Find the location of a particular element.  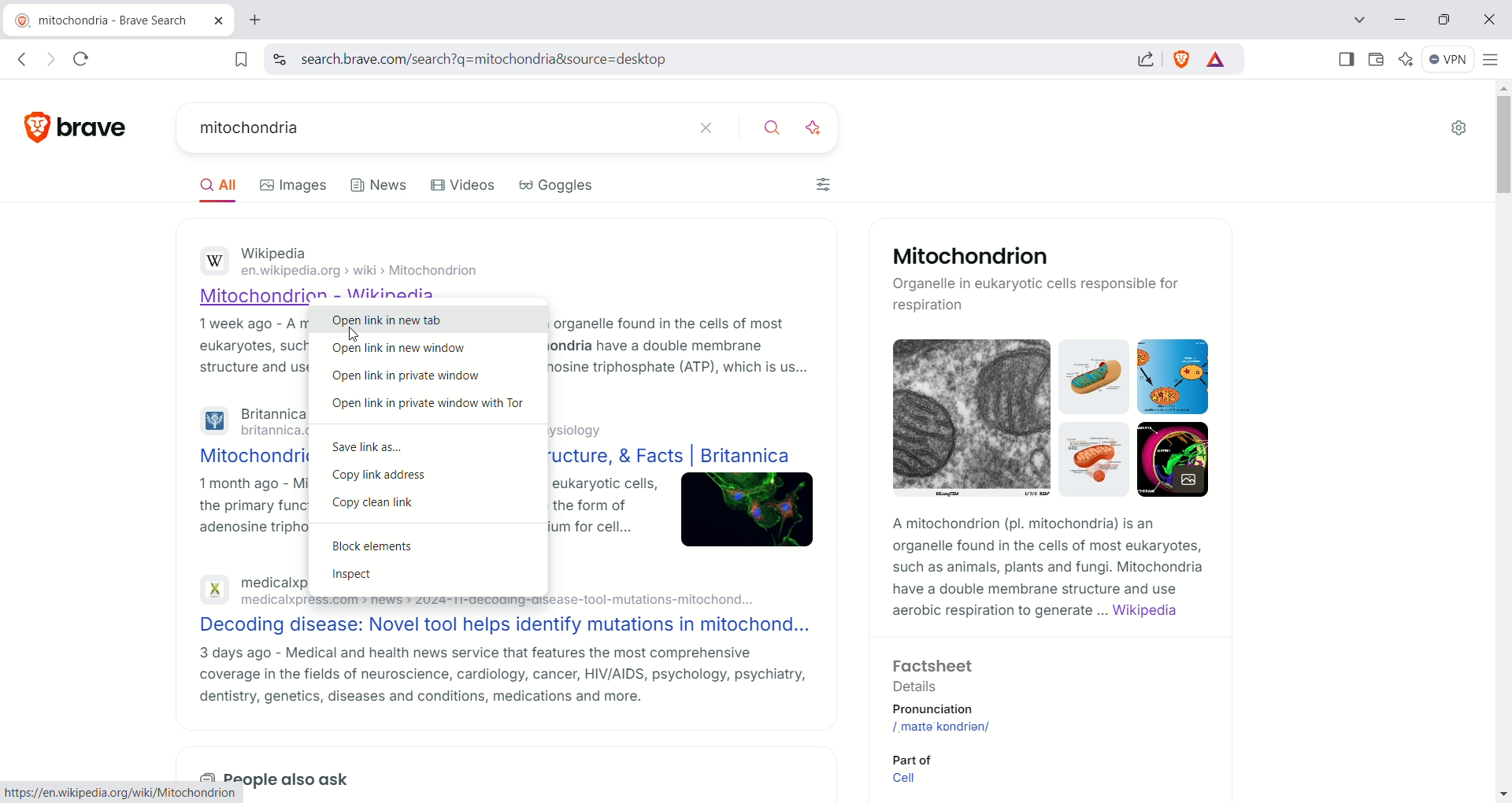

show sidebar is located at coordinates (1346, 60).